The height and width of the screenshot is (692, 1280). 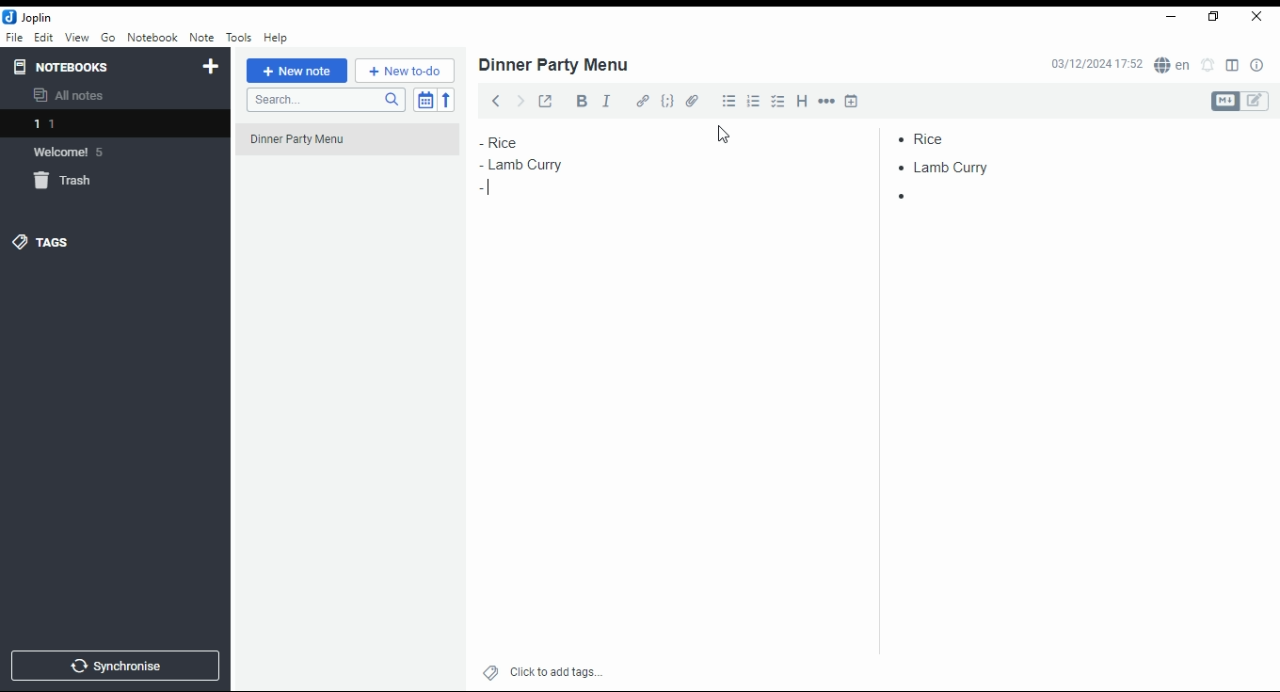 What do you see at coordinates (114, 665) in the screenshot?
I see `synchronize` at bounding box center [114, 665].